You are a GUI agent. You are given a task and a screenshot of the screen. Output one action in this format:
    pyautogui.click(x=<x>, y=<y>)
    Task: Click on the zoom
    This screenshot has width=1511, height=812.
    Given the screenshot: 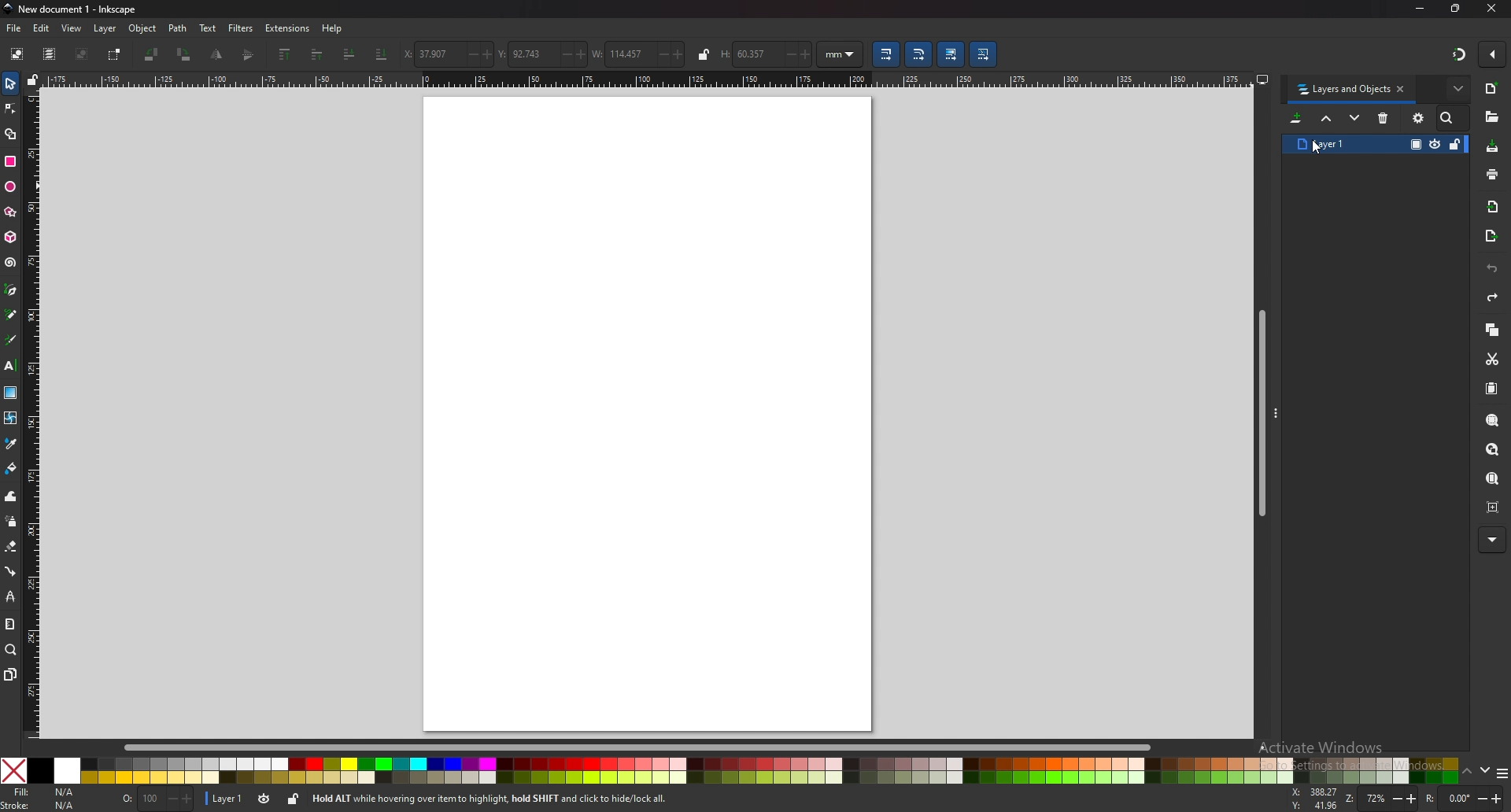 What is the action you would take?
    pyautogui.click(x=1381, y=798)
    